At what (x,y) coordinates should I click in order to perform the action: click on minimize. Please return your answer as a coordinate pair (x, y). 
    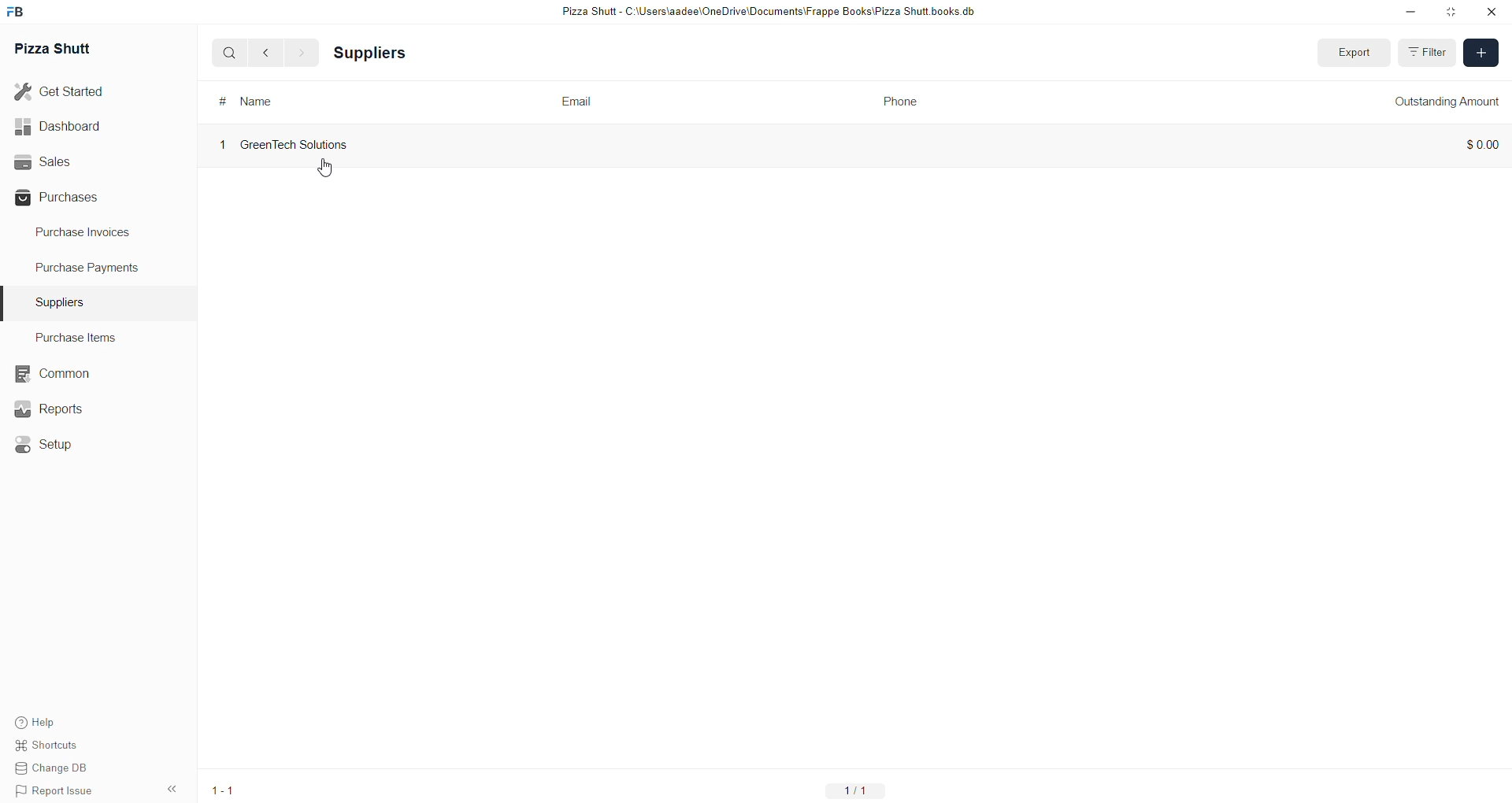
    Looking at the image, I should click on (1409, 14).